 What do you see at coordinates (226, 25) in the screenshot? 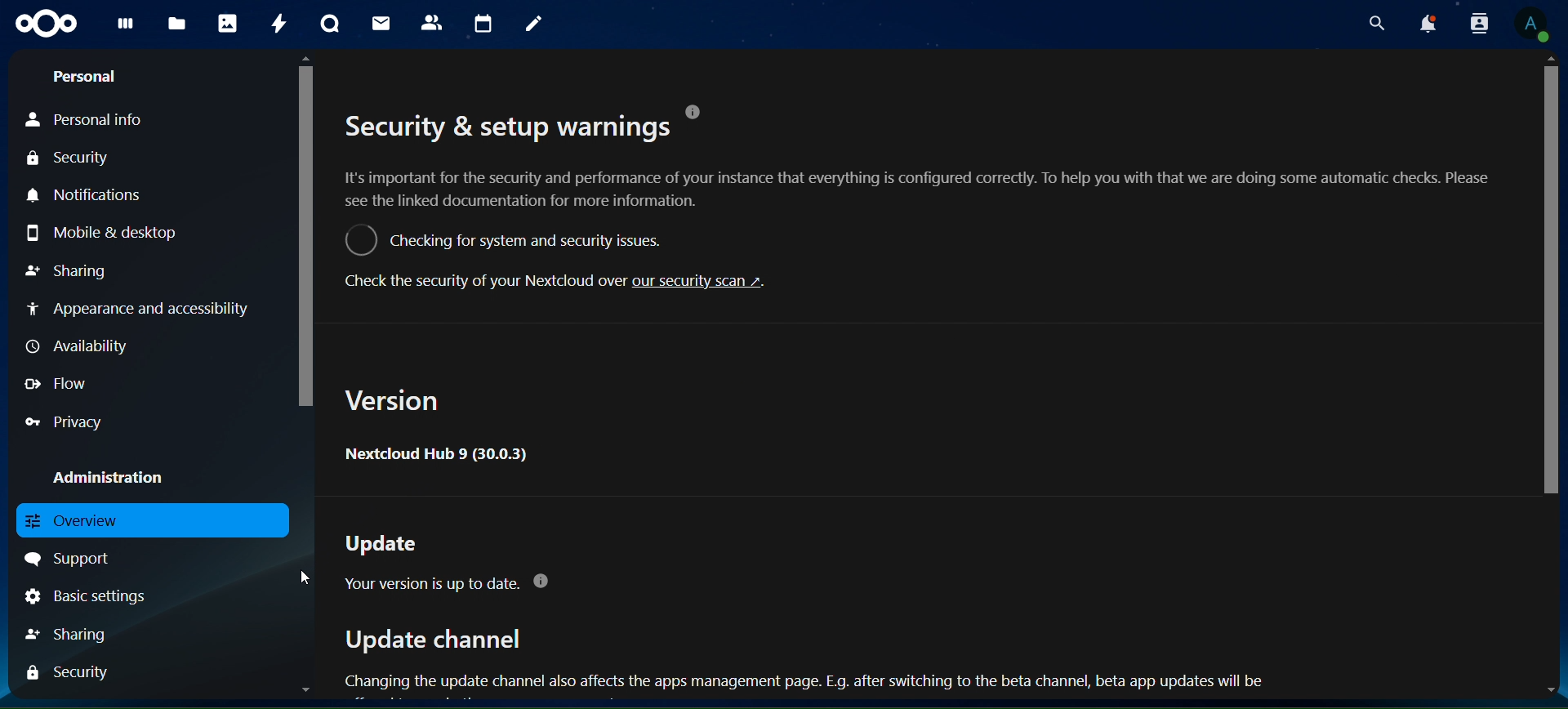
I see `photos` at bounding box center [226, 25].